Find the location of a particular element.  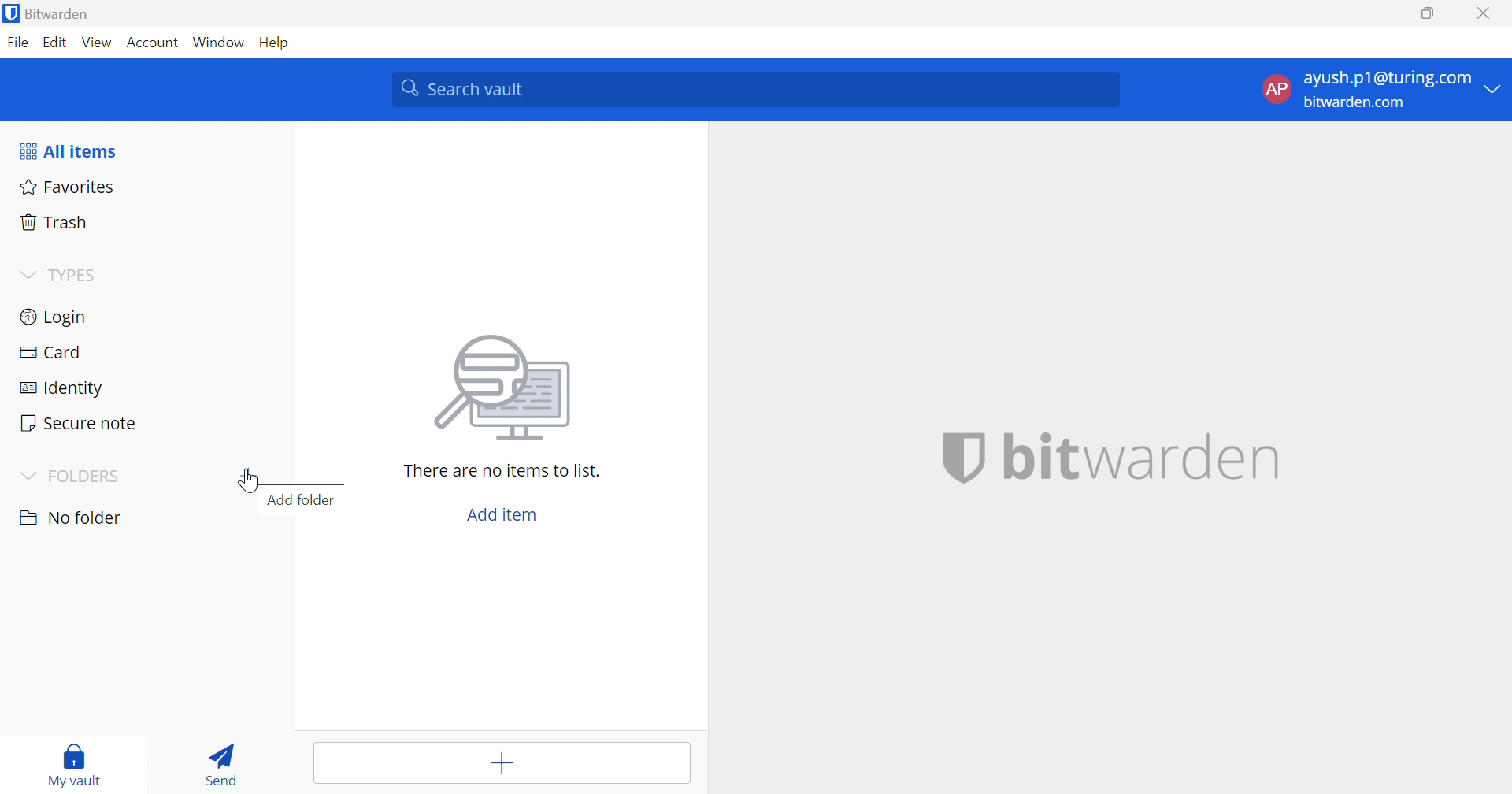

There are no items to list is located at coordinates (502, 471).